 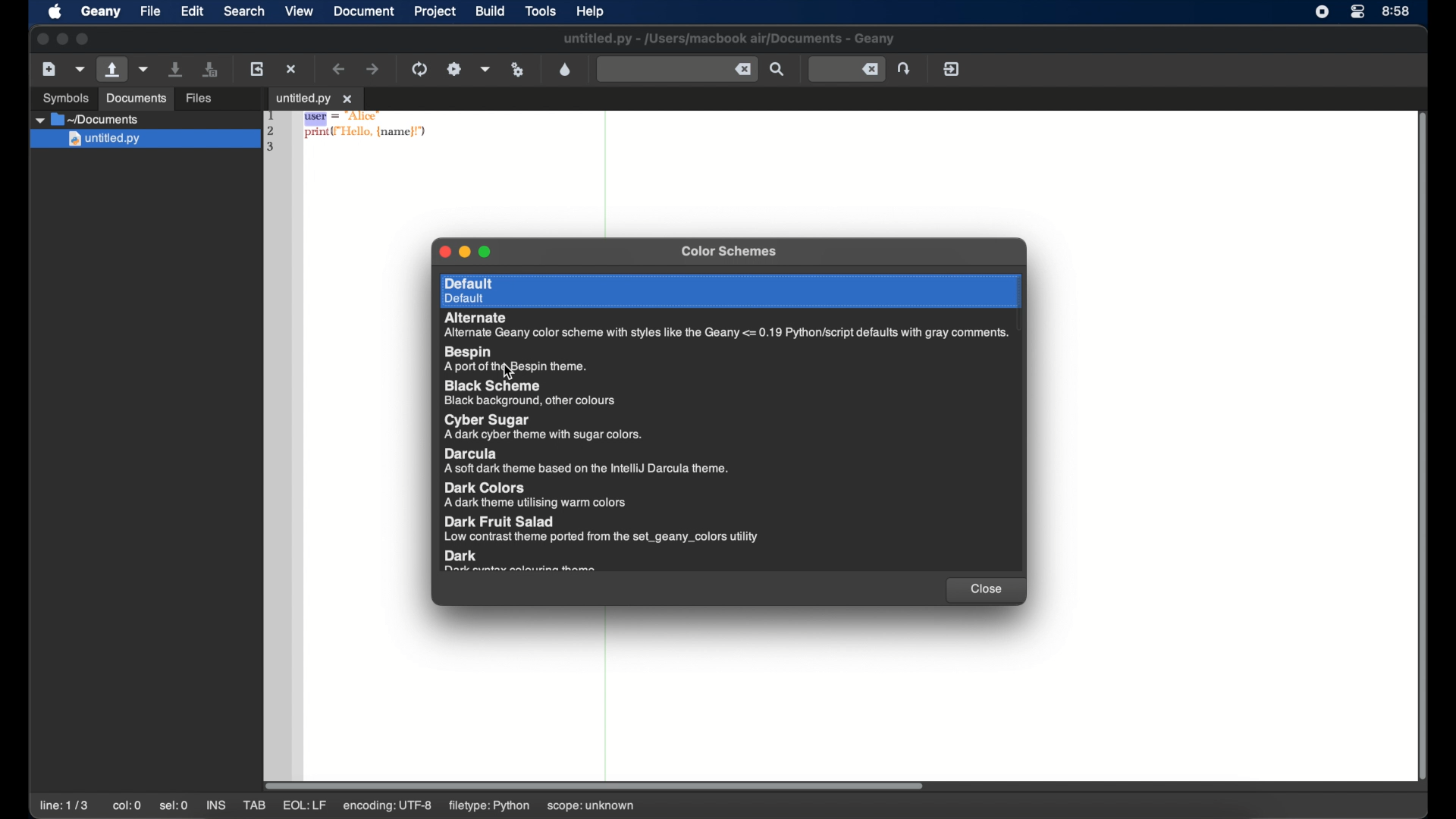 I want to click on files, so click(x=200, y=99).